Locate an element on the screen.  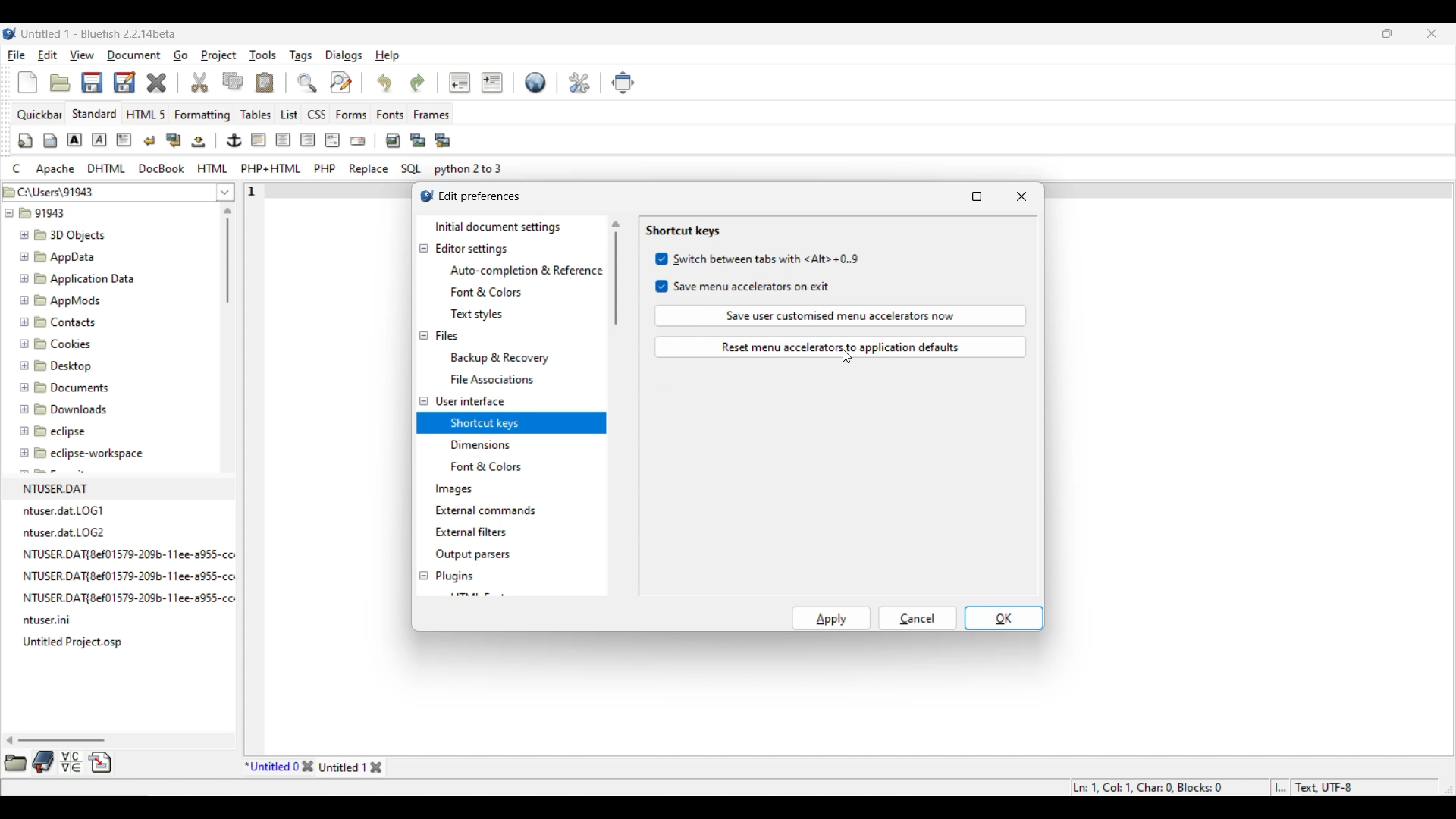
Cookies is located at coordinates (57, 343).